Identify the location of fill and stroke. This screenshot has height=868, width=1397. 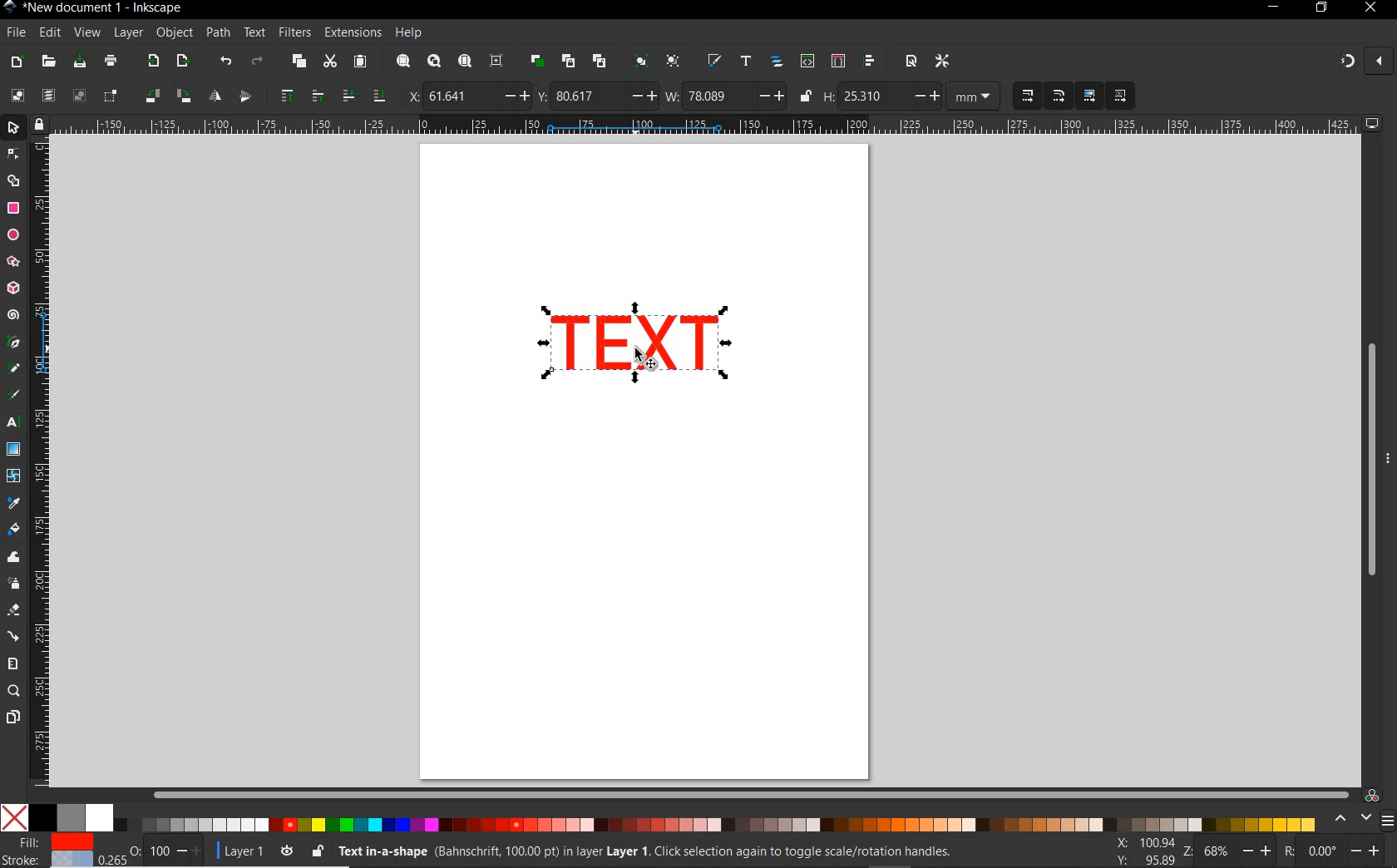
(51, 851).